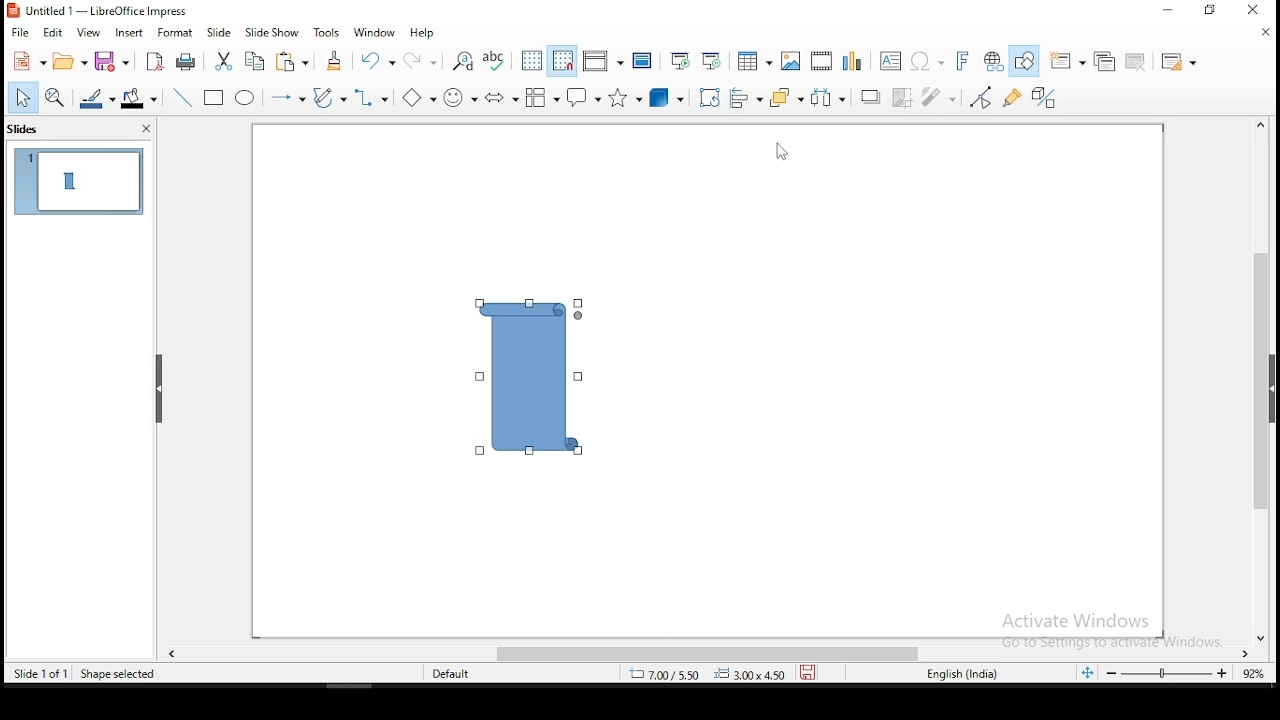 This screenshot has width=1280, height=720. What do you see at coordinates (666, 98) in the screenshot?
I see `3D objects` at bounding box center [666, 98].